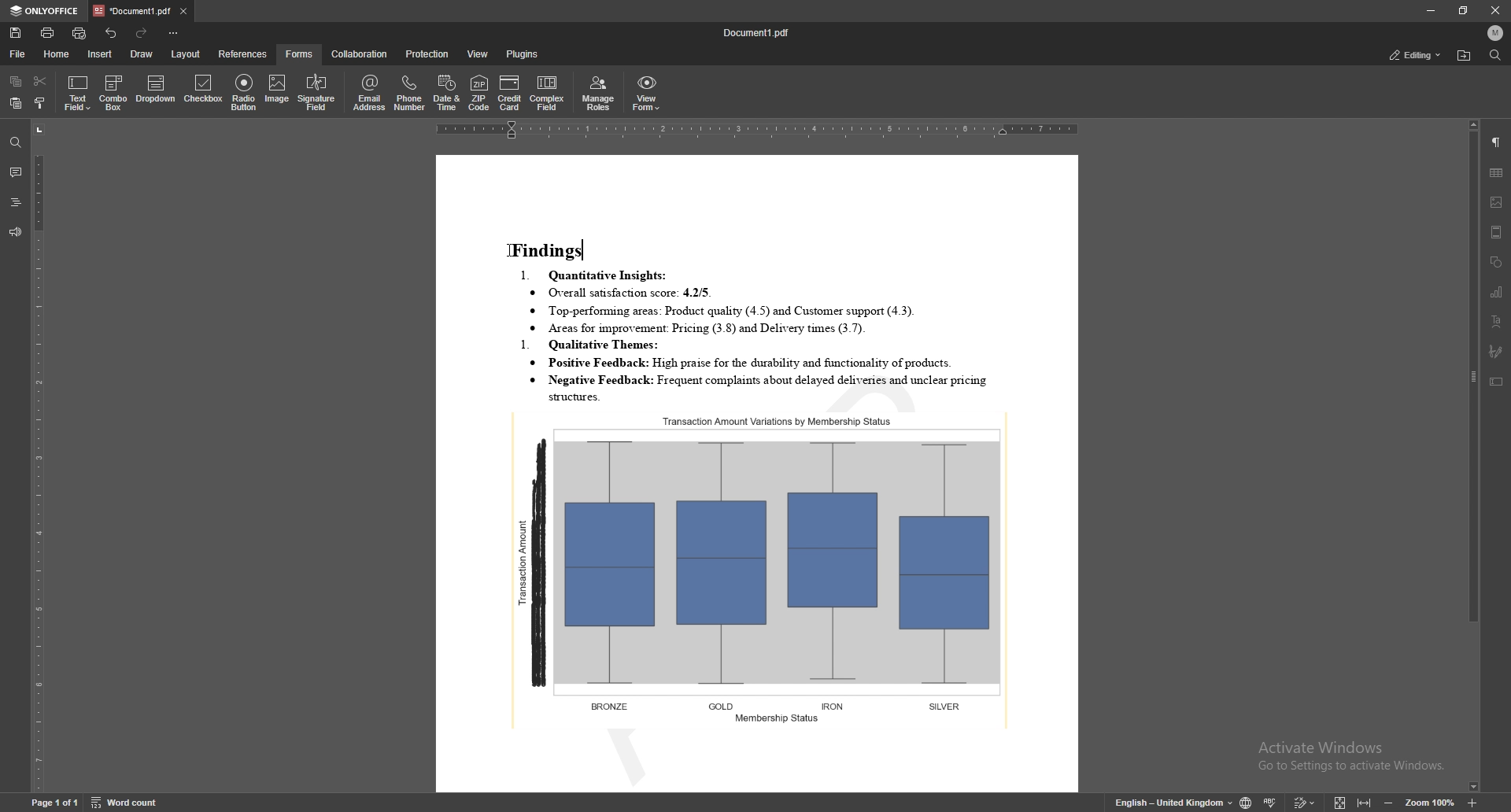 This screenshot has width=1511, height=812. Describe the element at coordinates (1245, 803) in the screenshot. I see `change doc language` at that location.